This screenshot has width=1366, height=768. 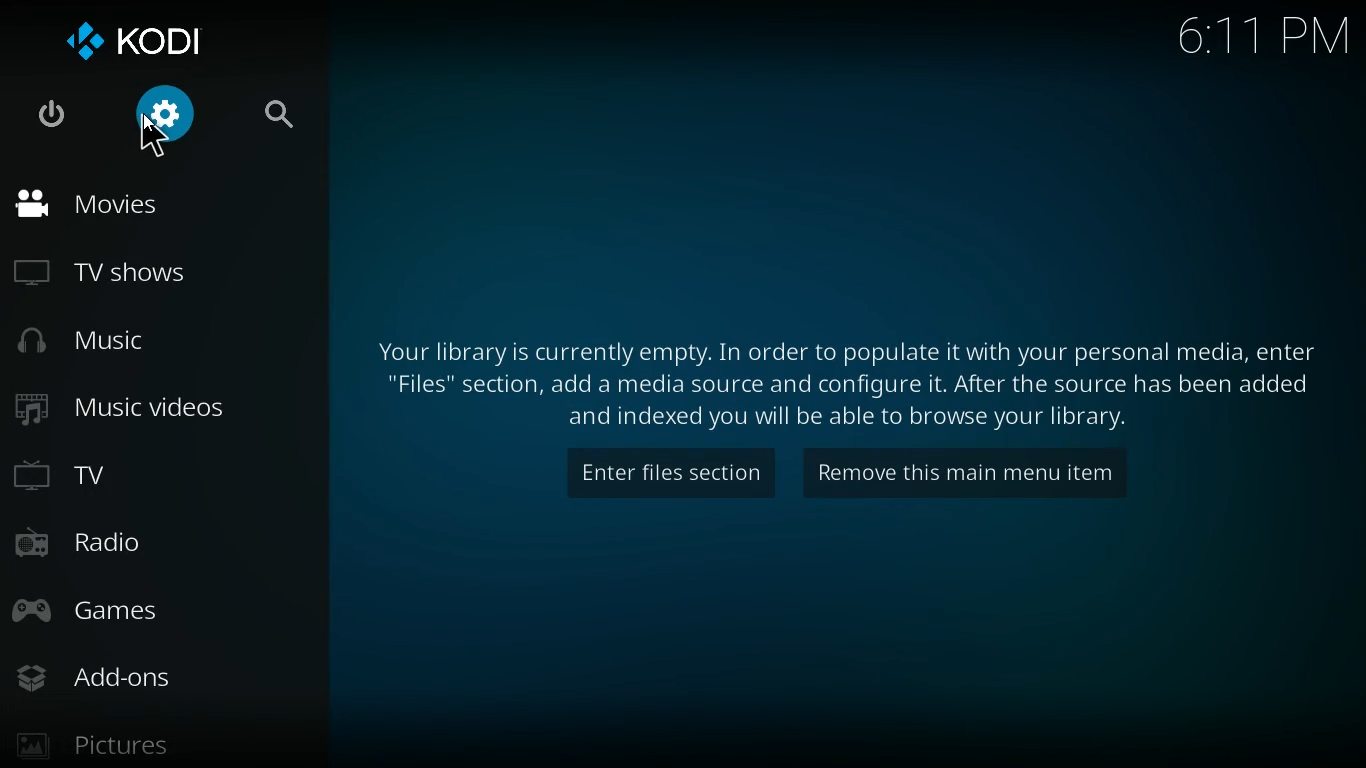 What do you see at coordinates (156, 205) in the screenshot?
I see `movies` at bounding box center [156, 205].